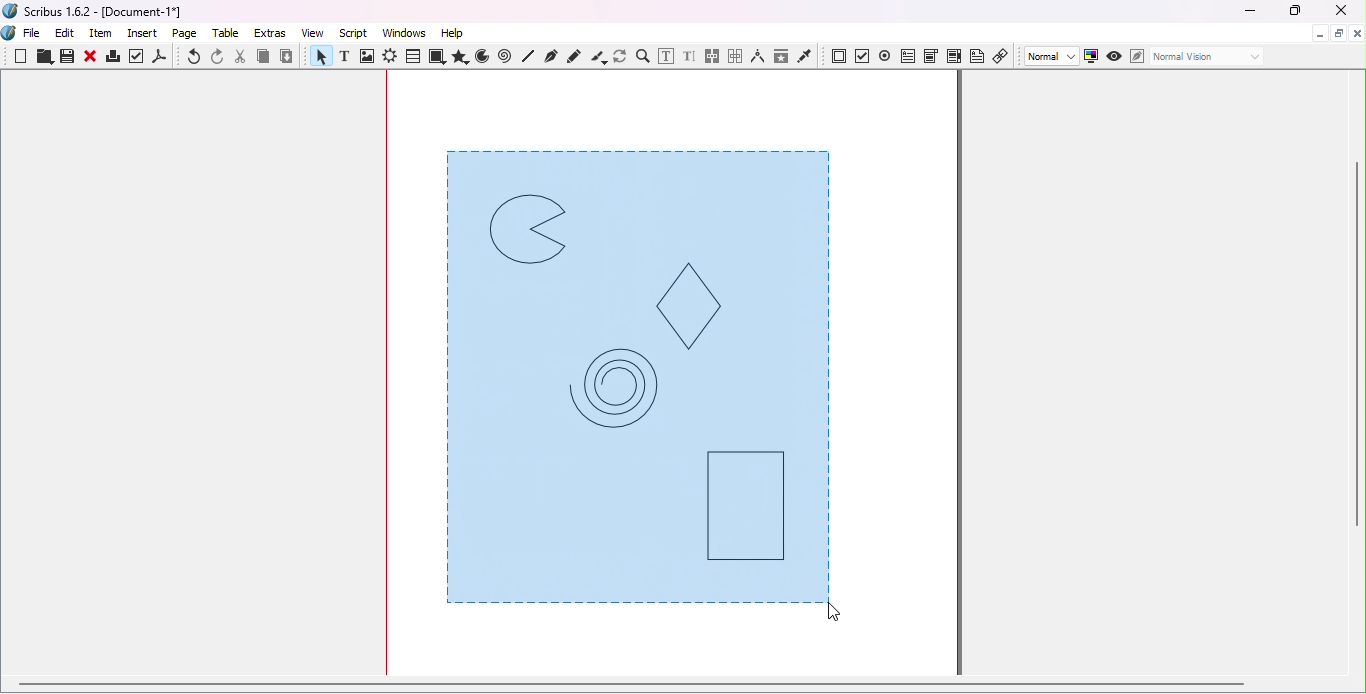 This screenshot has width=1366, height=694. What do you see at coordinates (1136, 55) in the screenshot?
I see `Edit in Preview mode` at bounding box center [1136, 55].